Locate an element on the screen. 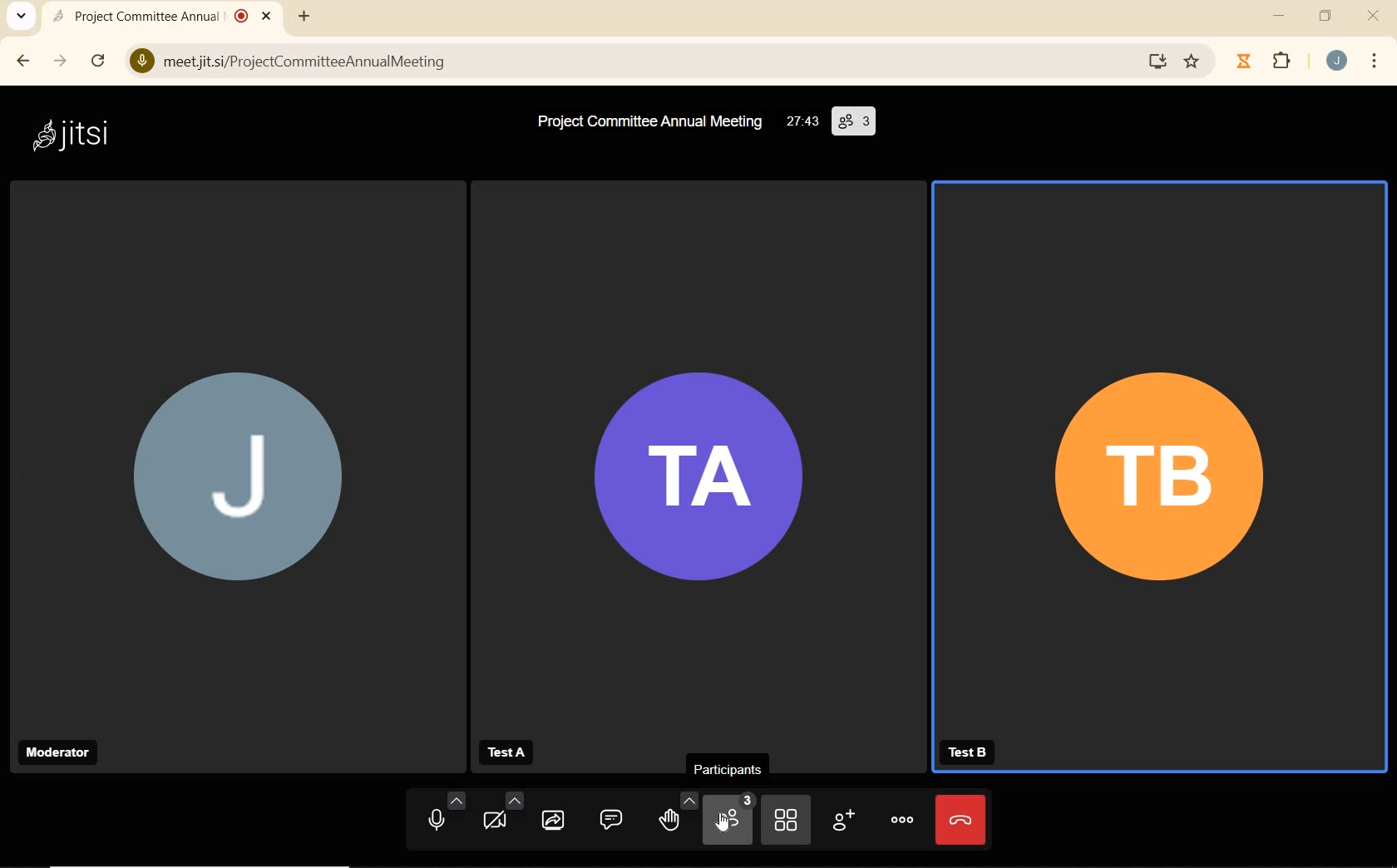 This screenshot has width=1397, height=868. RESTORE DOWN is located at coordinates (1325, 17).